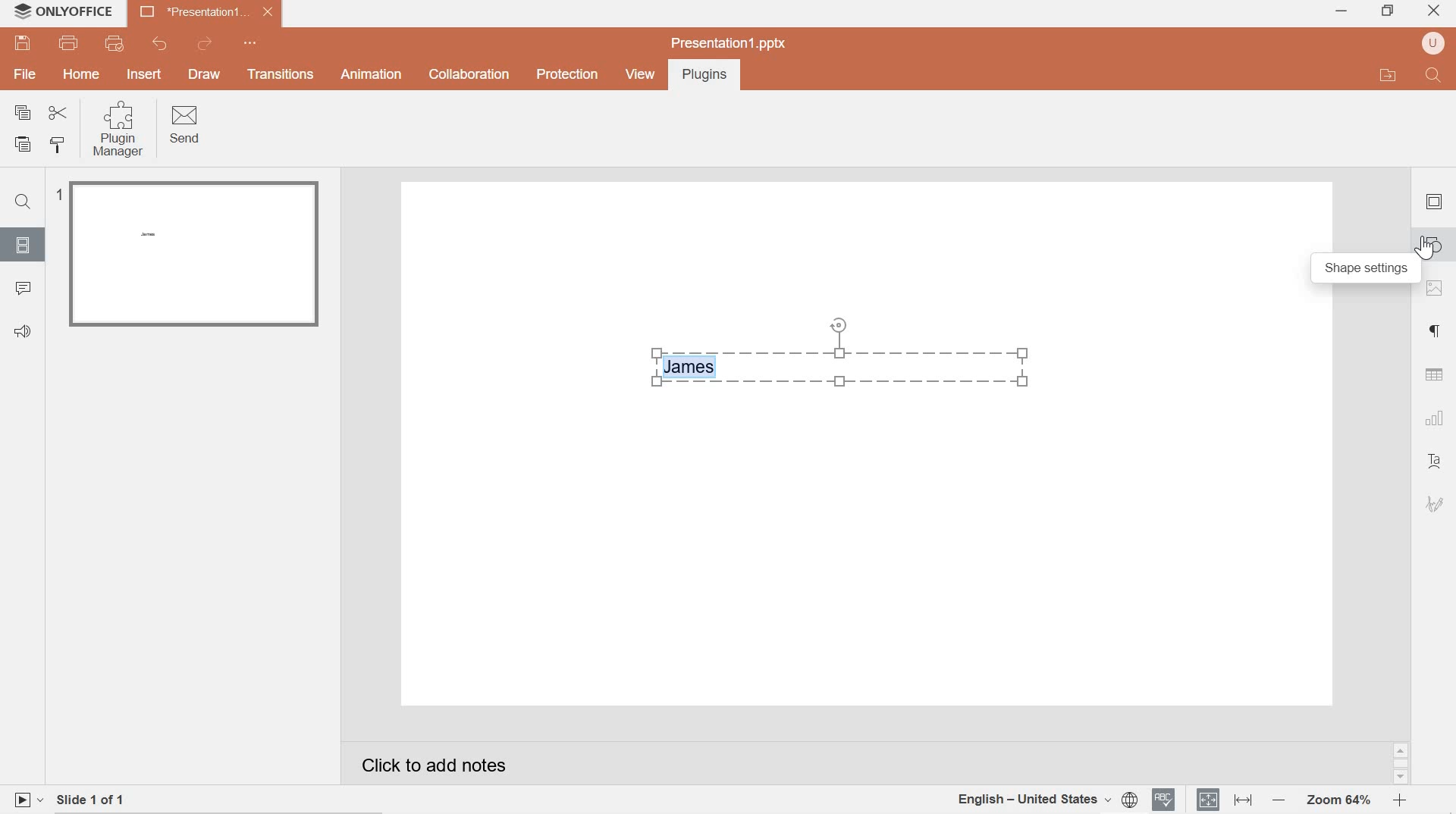 This screenshot has width=1456, height=814. Describe the element at coordinates (693, 367) in the screenshot. I see `highlighted text` at that location.